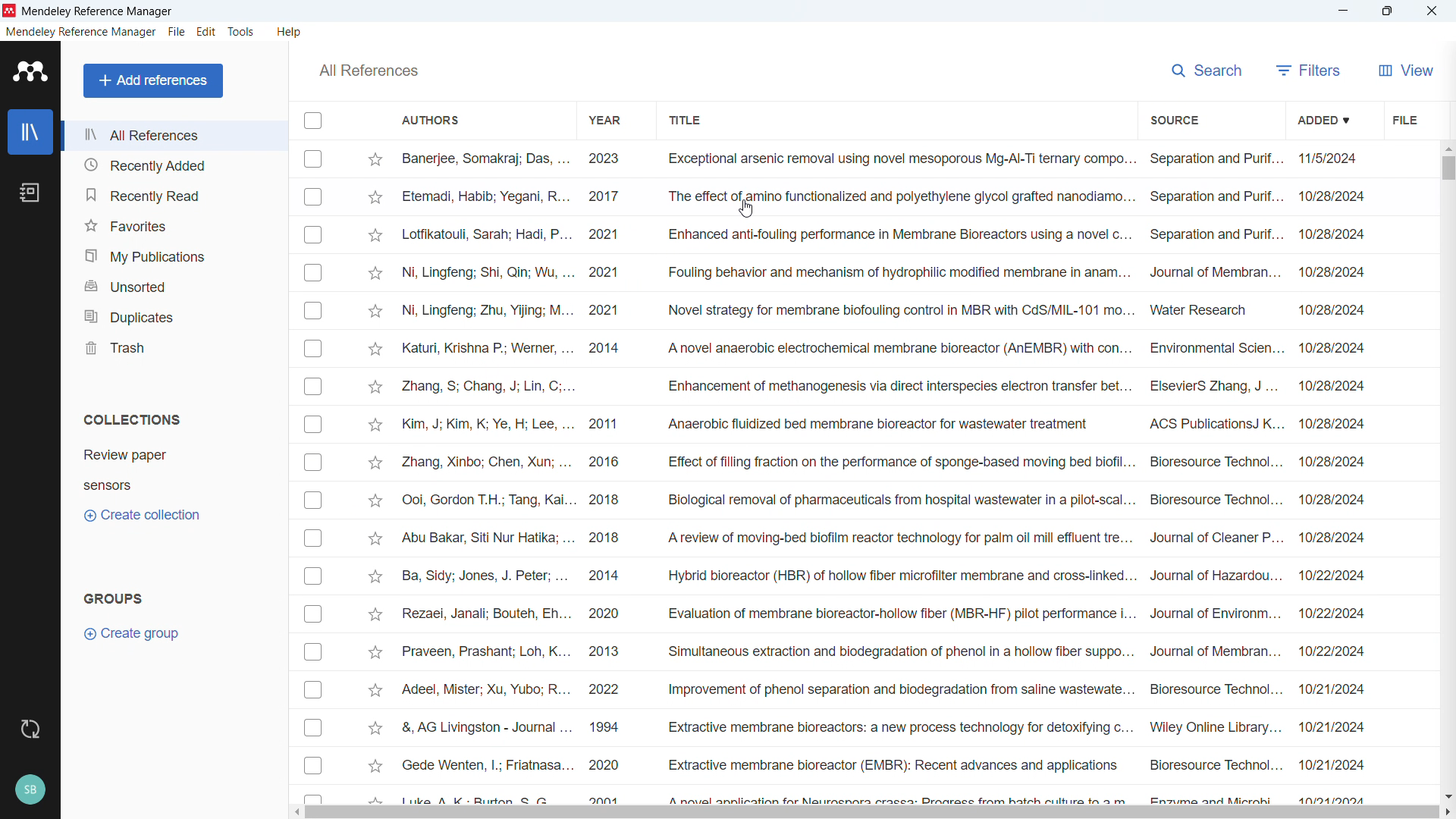 The width and height of the screenshot is (1456, 819). What do you see at coordinates (1448, 168) in the screenshot?
I see `Vertical scroll bar ` at bounding box center [1448, 168].